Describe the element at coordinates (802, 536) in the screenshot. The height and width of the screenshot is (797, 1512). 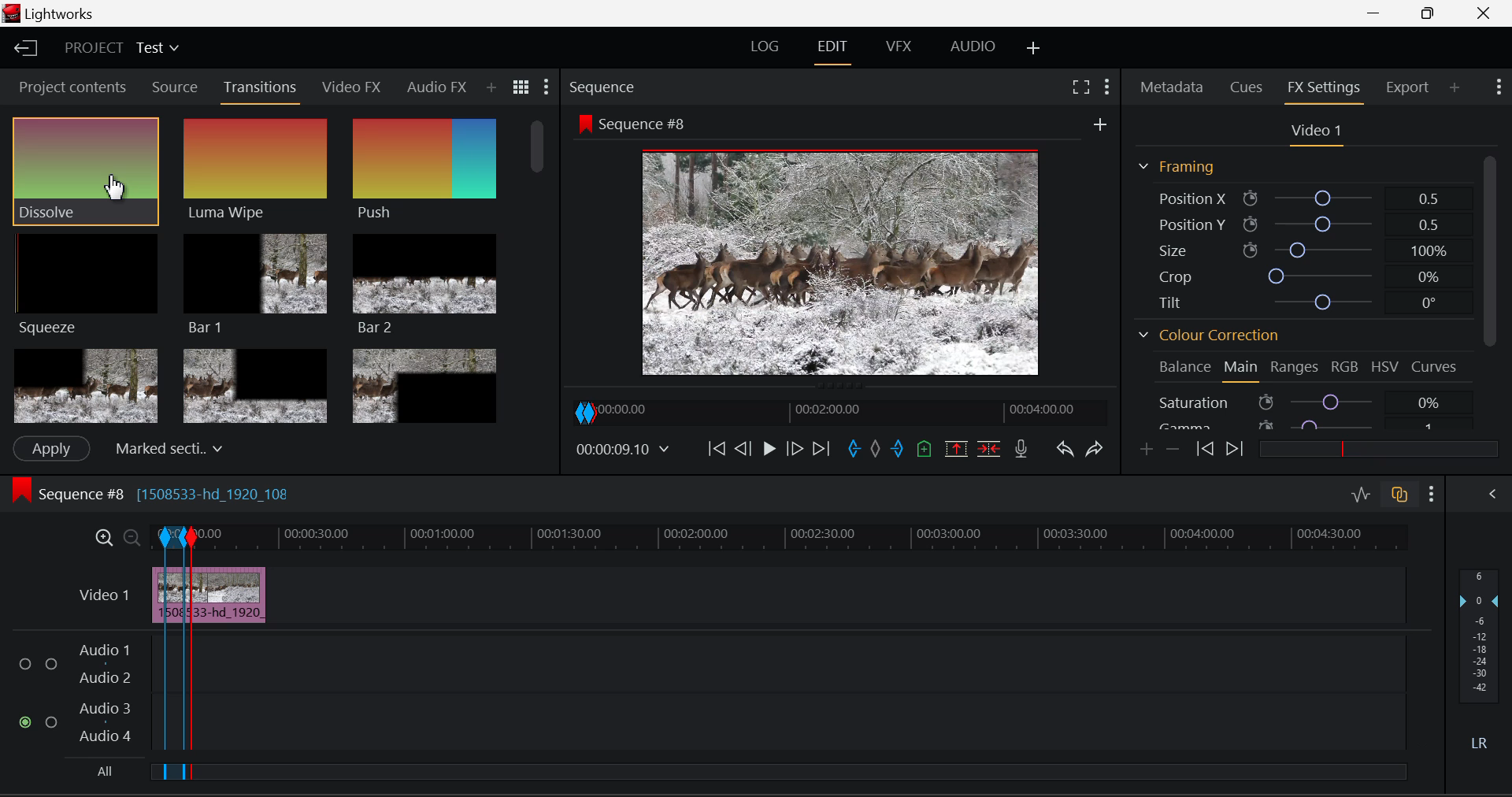
I see `Project Timeline` at that location.